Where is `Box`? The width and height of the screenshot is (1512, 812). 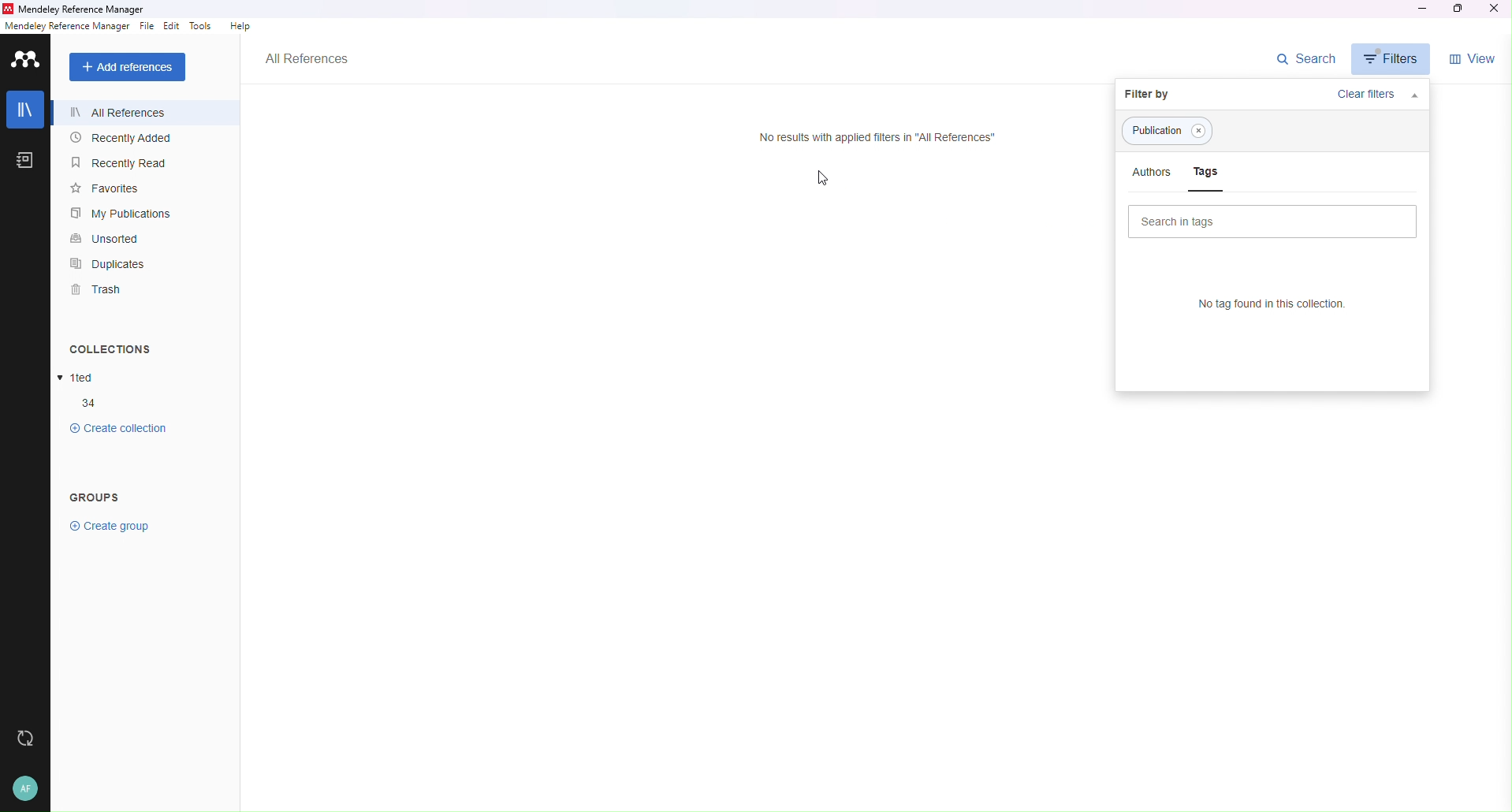 Box is located at coordinates (1463, 9).